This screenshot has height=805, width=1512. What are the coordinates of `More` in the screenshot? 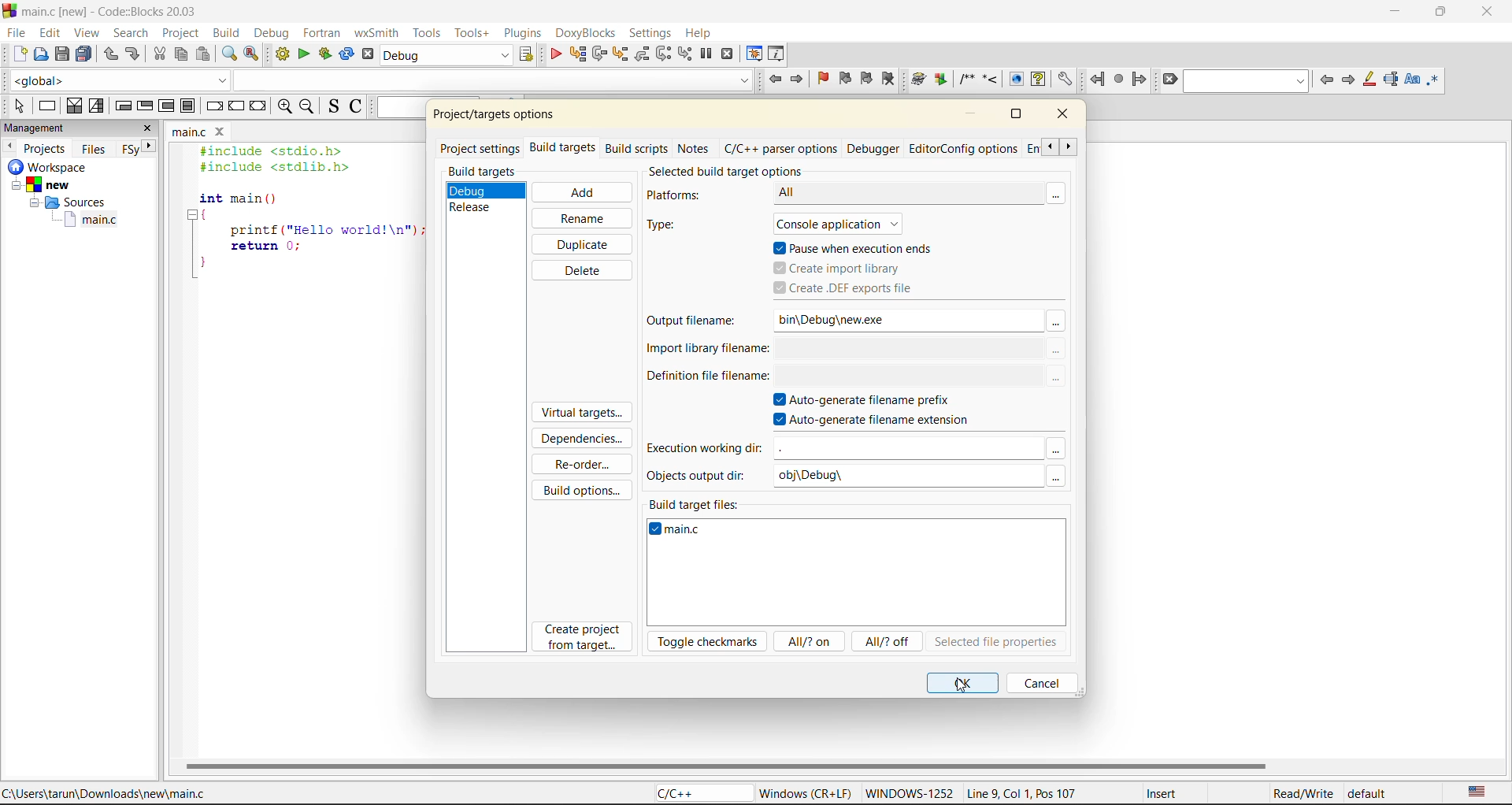 It's located at (1055, 321).